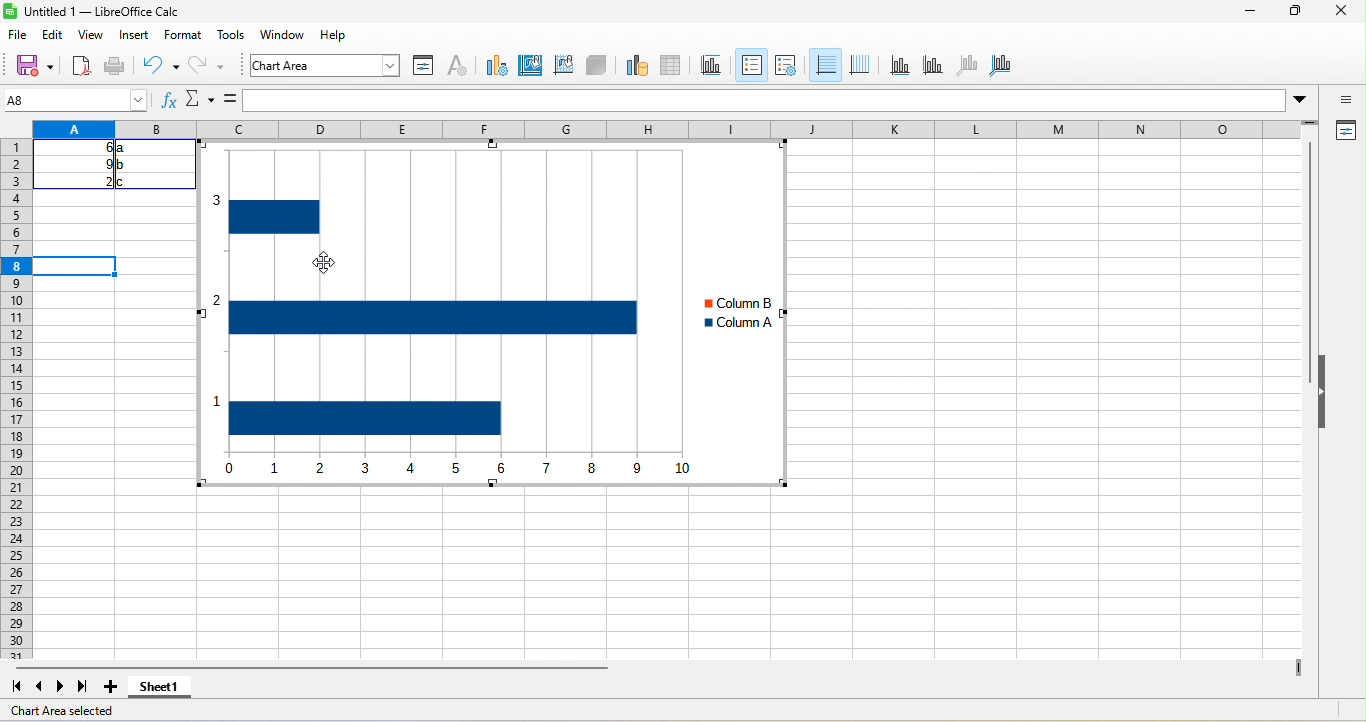  I want to click on view, so click(94, 34).